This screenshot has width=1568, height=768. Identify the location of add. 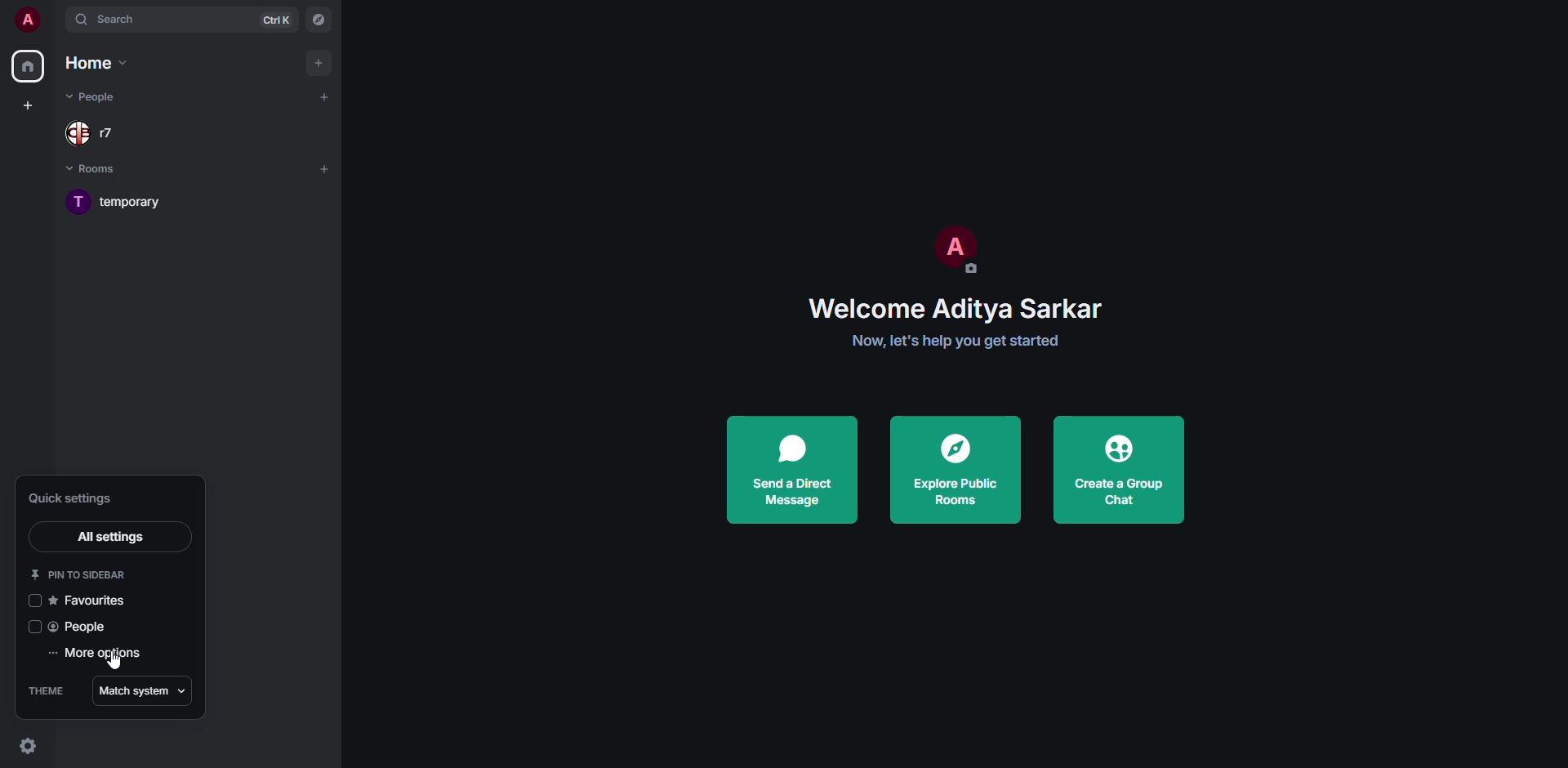
(319, 60).